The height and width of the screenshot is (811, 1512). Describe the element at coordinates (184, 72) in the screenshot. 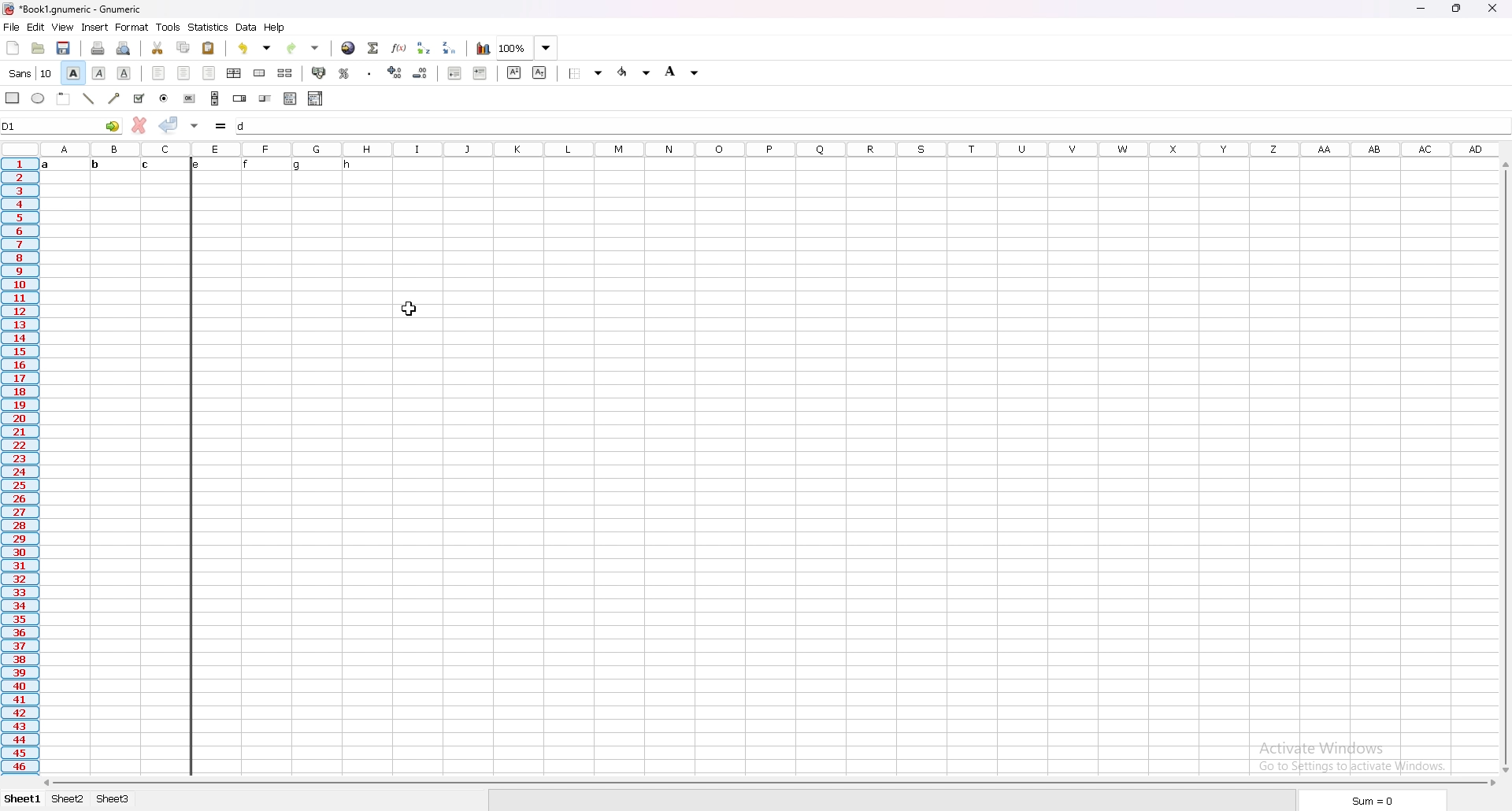

I see `centre` at that location.